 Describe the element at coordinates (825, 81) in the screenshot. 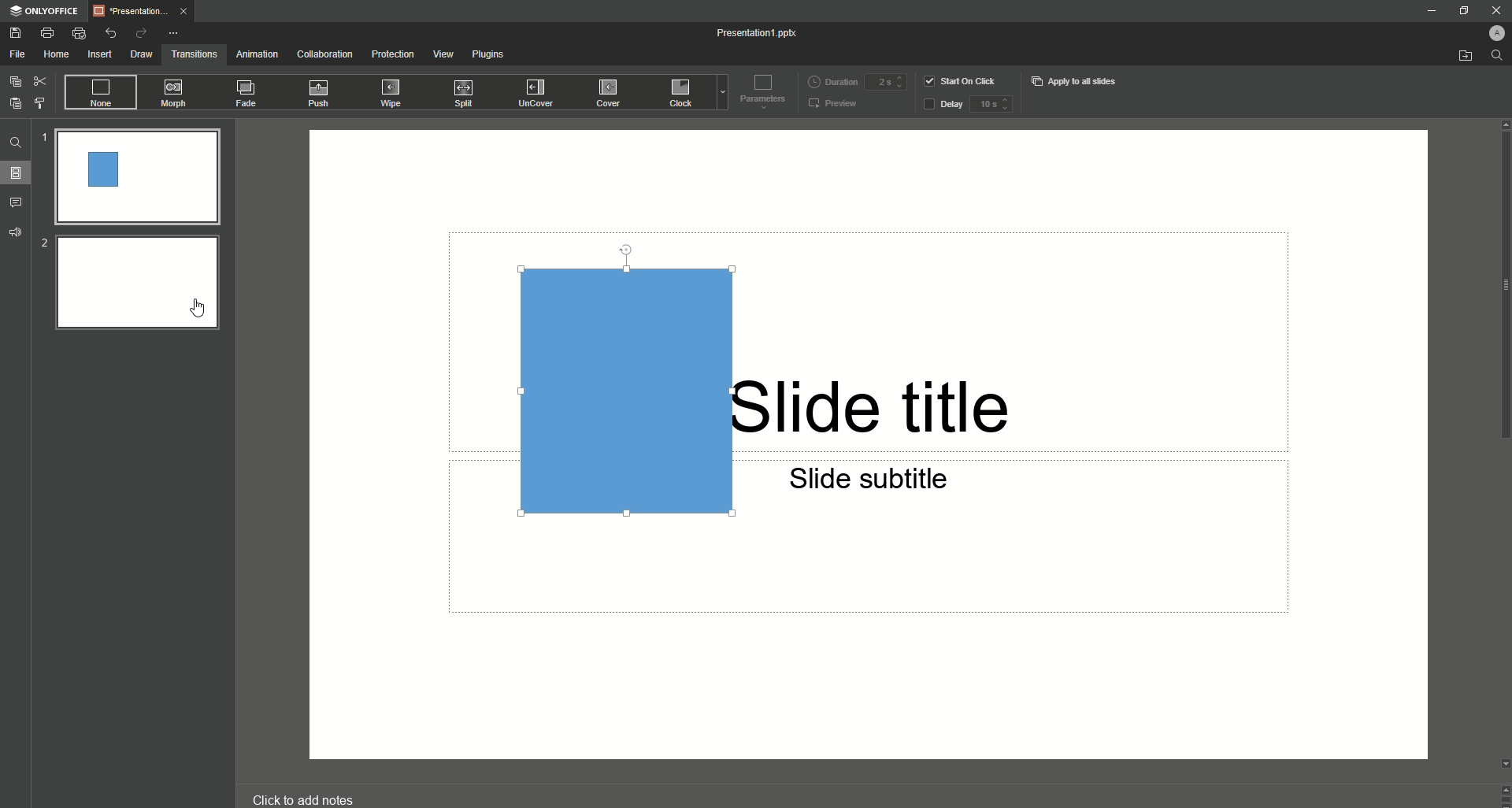

I see `Duration` at that location.